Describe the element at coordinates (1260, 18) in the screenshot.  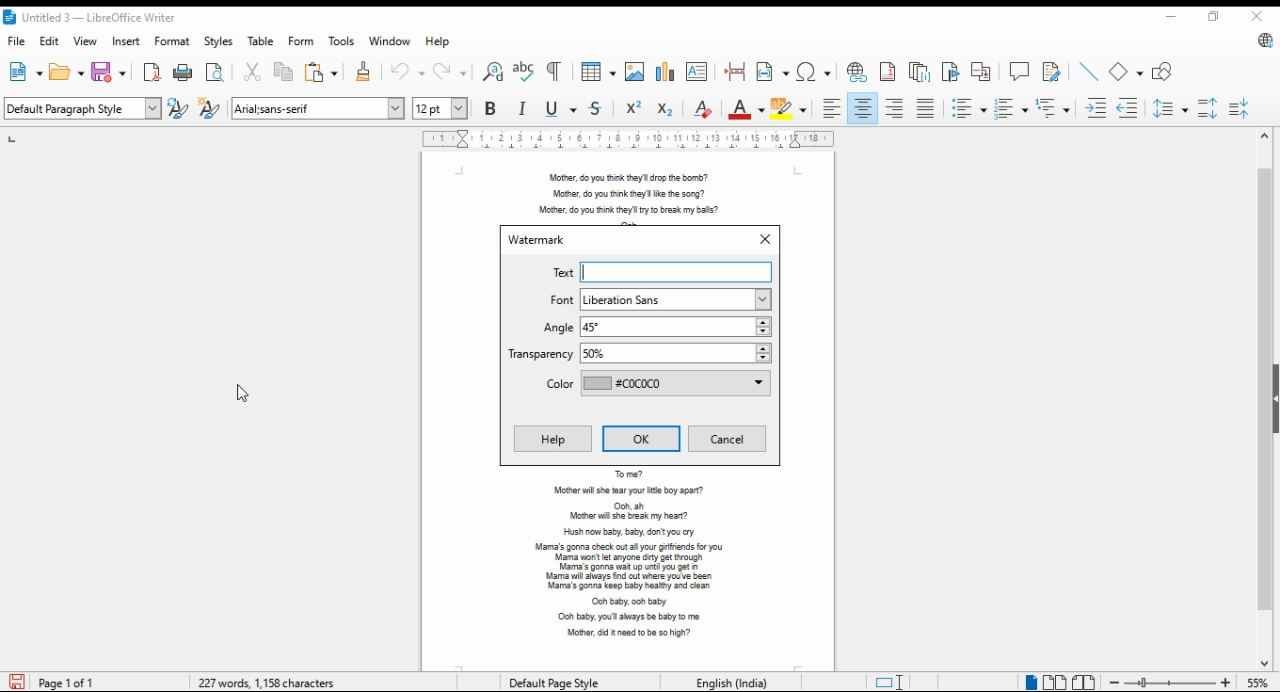
I see `close window` at that location.